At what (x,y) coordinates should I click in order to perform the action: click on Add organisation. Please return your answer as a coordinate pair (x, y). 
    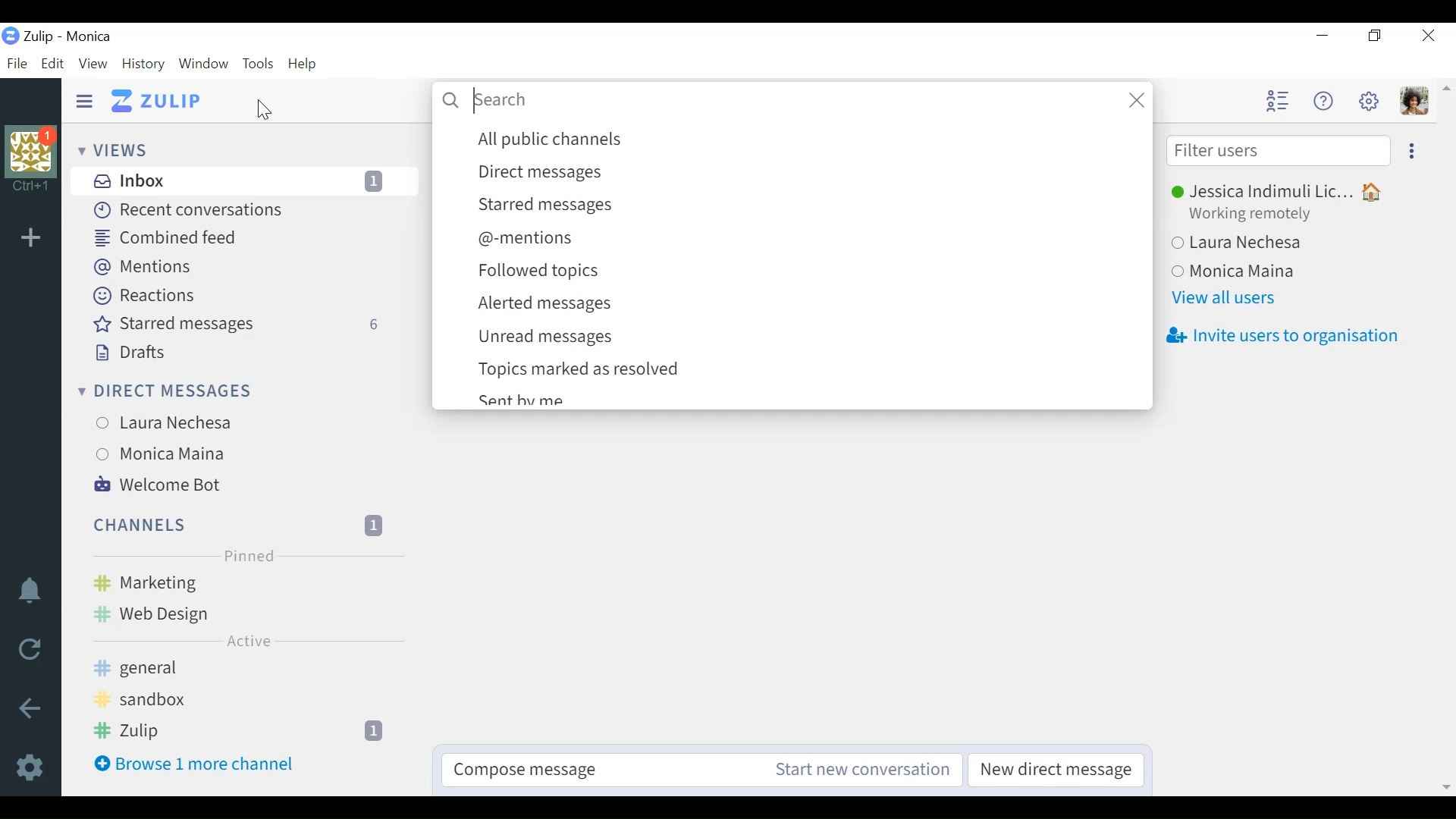
    Looking at the image, I should click on (35, 238).